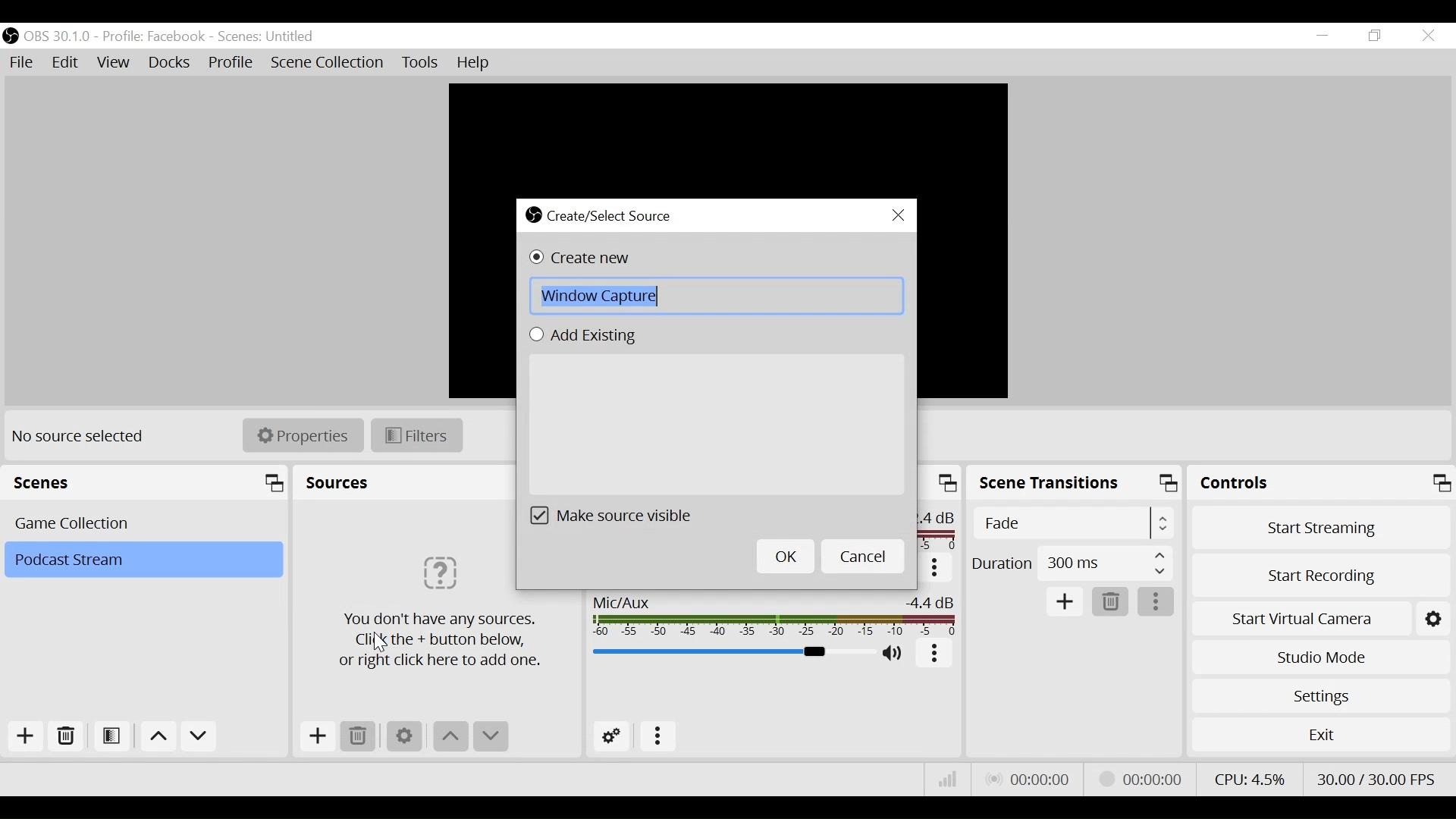 The width and height of the screenshot is (1456, 819). What do you see at coordinates (337, 482) in the screenshot?
I see `Sources` at bounding box center [337, 482].